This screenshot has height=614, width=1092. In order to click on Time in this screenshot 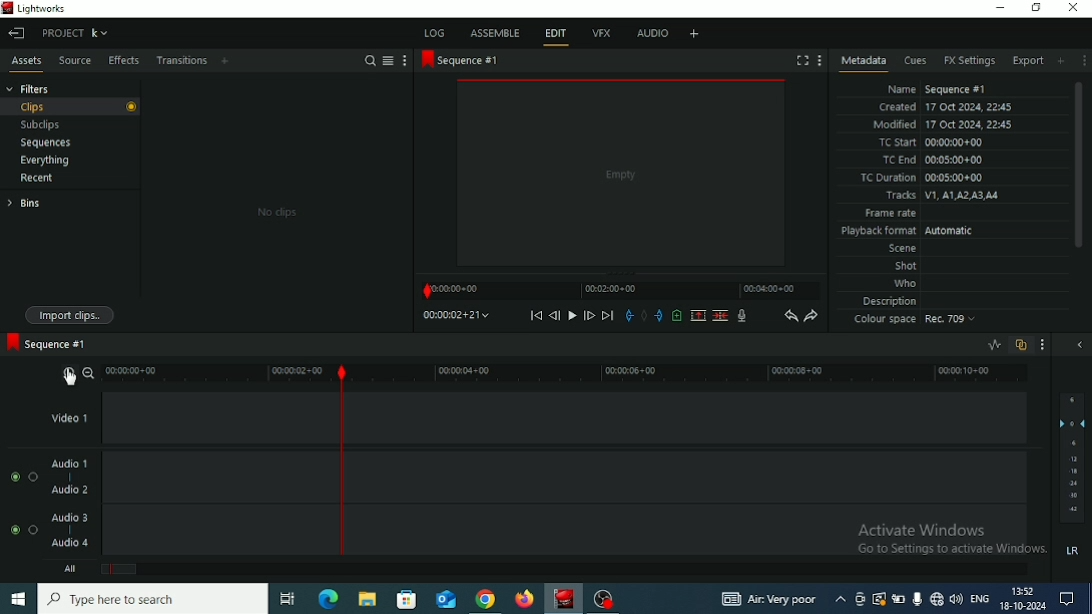, I will do `click(1024, 591)`.